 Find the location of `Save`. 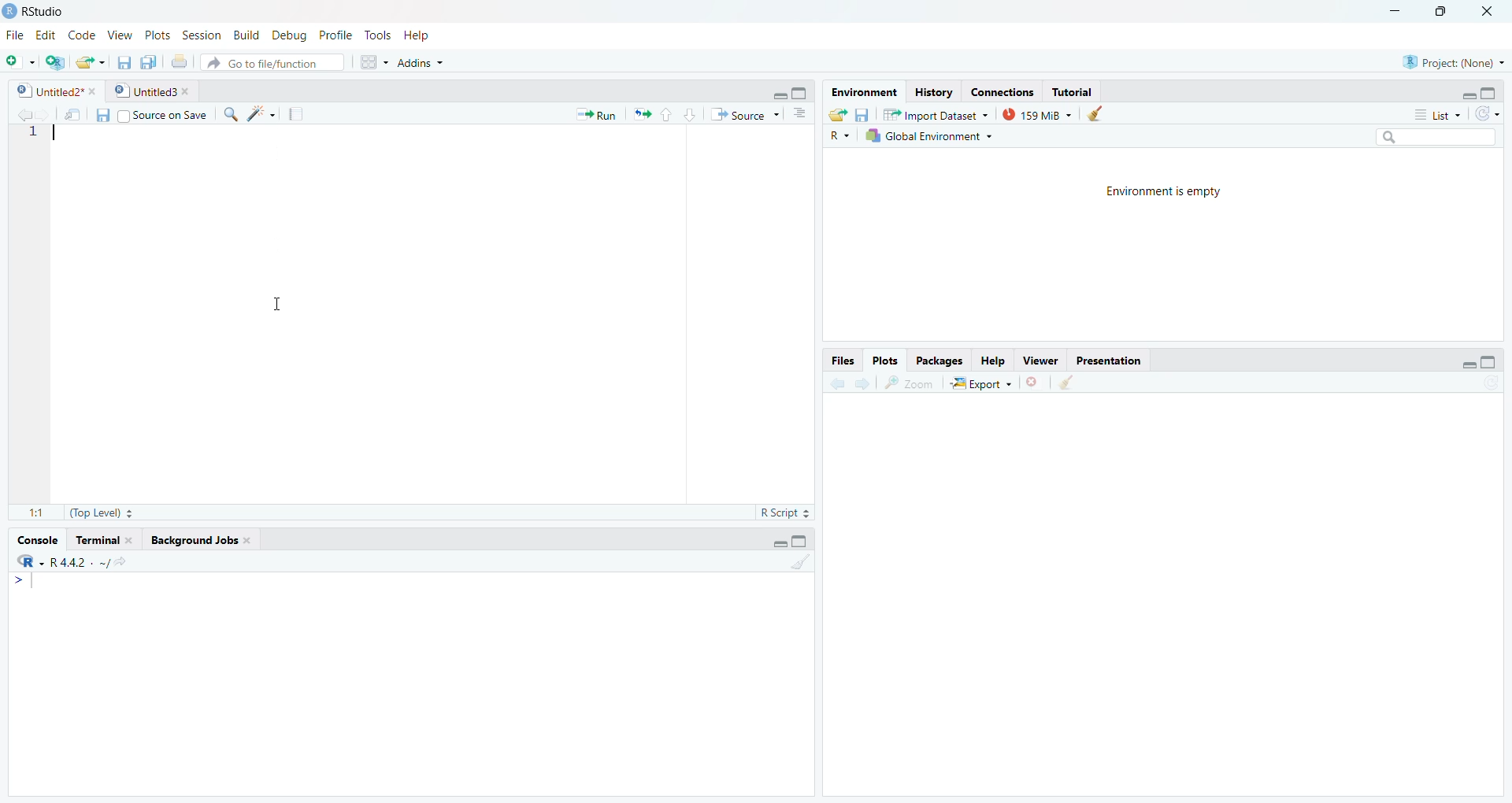

Save is located at coordinates (124, 62).